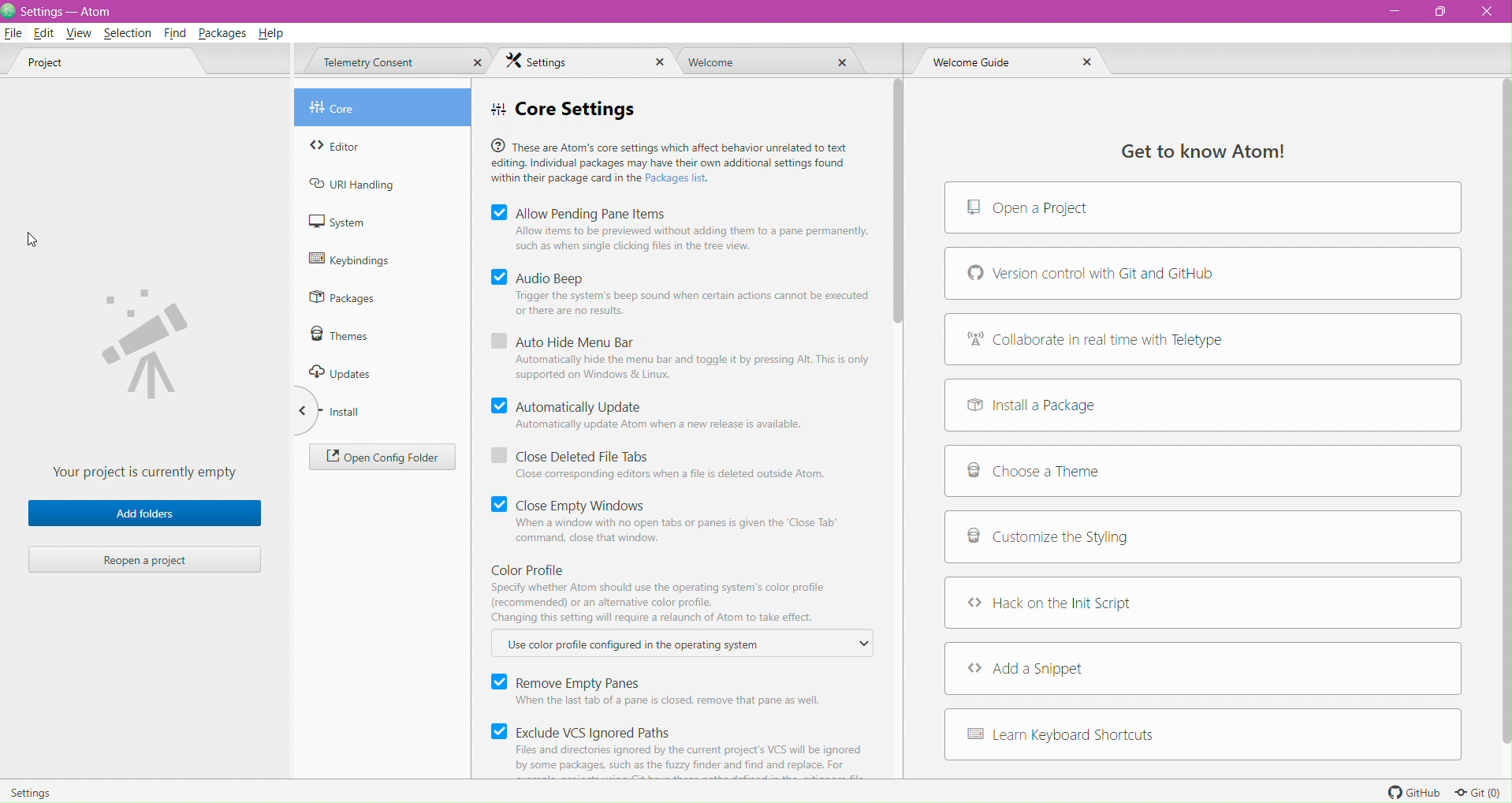 The image size is (1512, 803). What do you see at coordinates (1395, 16) in the screenshot?
I see `Minimize` at bounding box center [1395, 16].